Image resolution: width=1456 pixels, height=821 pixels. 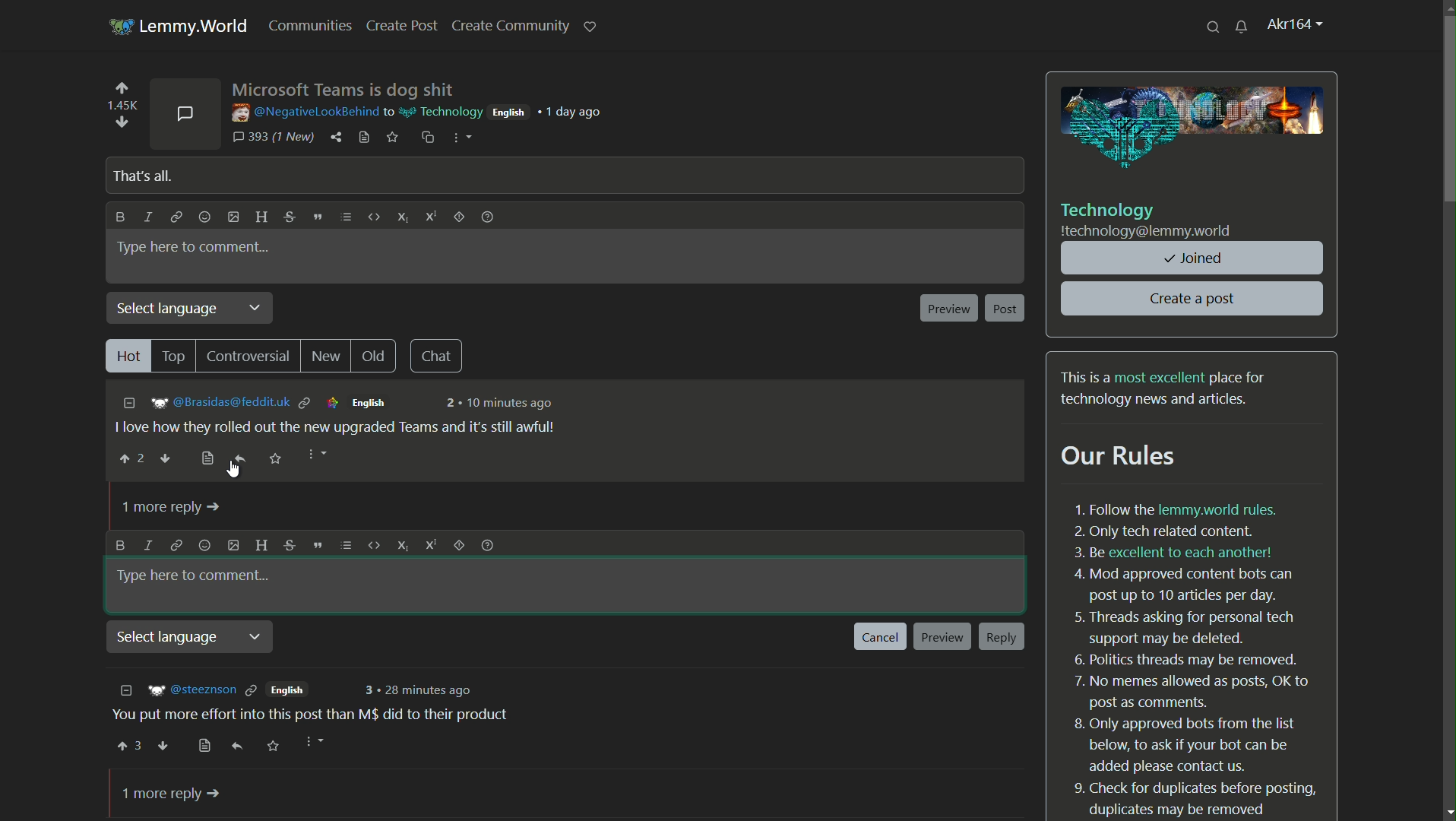 What do you see at coordinates (302, 112) in the screenshot?
I see `username` at bounding box center [302, 112].